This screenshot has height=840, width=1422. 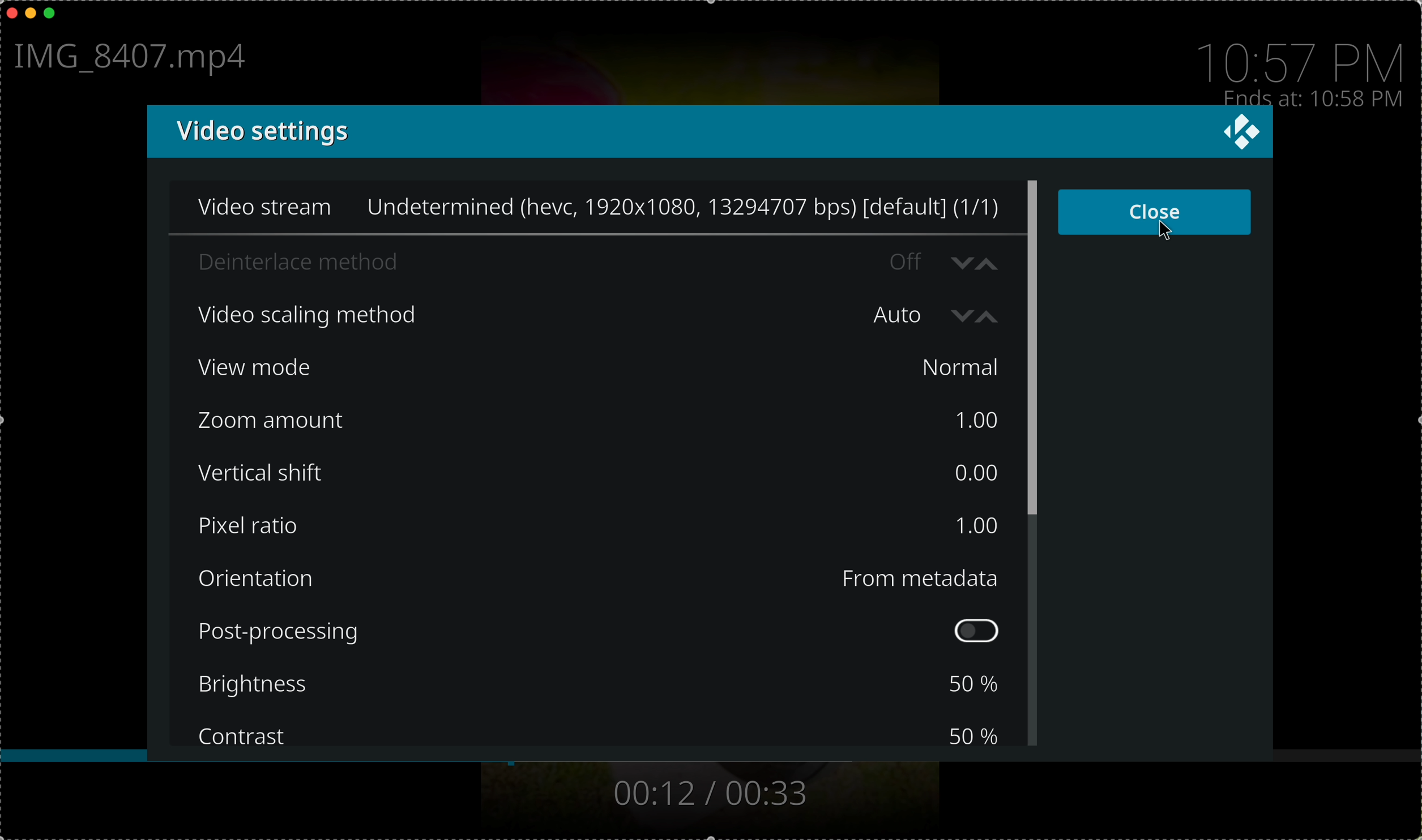 What do you see at coordinates (669, 132) in the screenshot?
I see `video settings` at bounding box center [669, 132].